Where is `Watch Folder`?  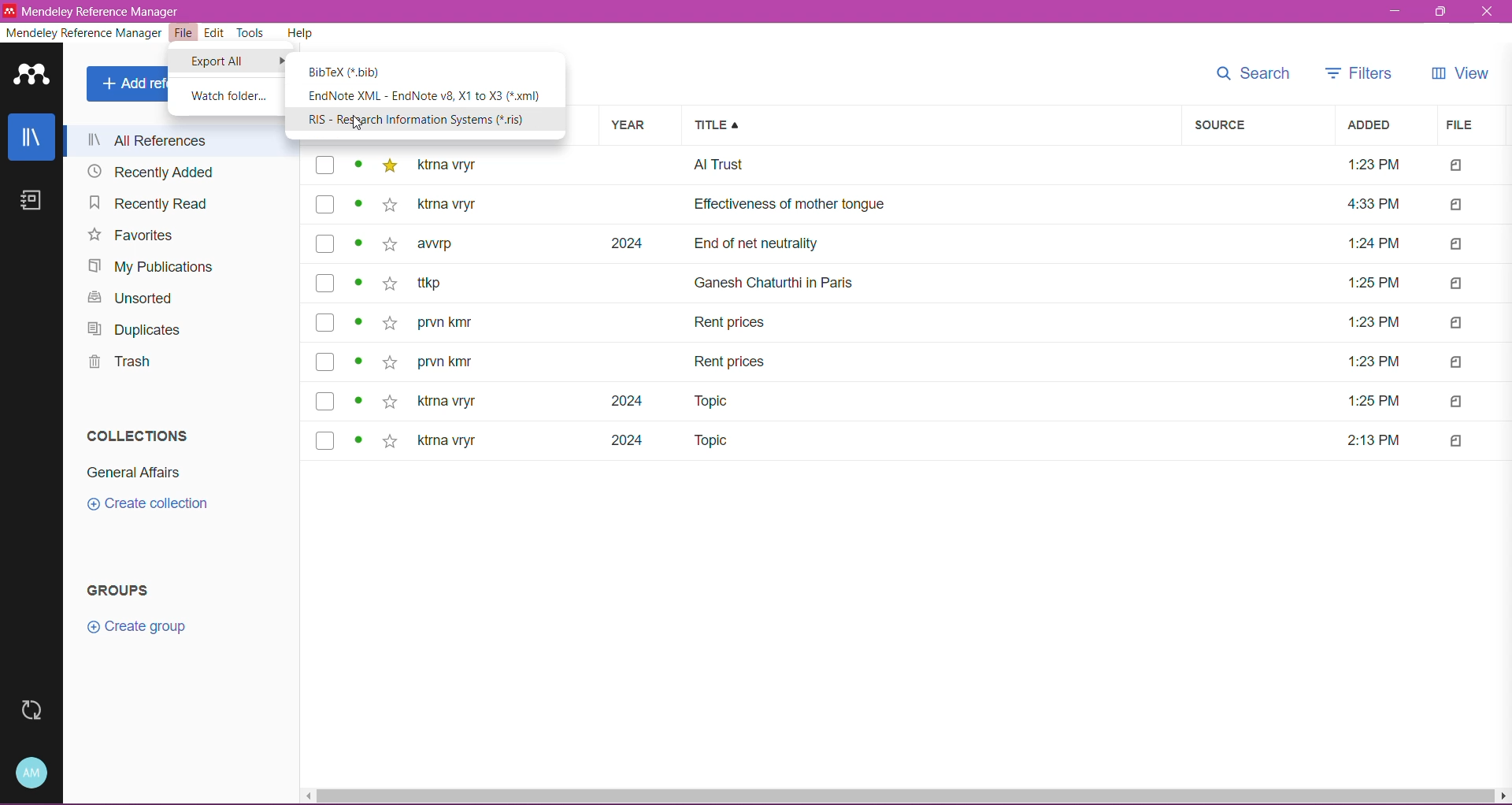 Watch Folder is located at coordinates (228, 97).